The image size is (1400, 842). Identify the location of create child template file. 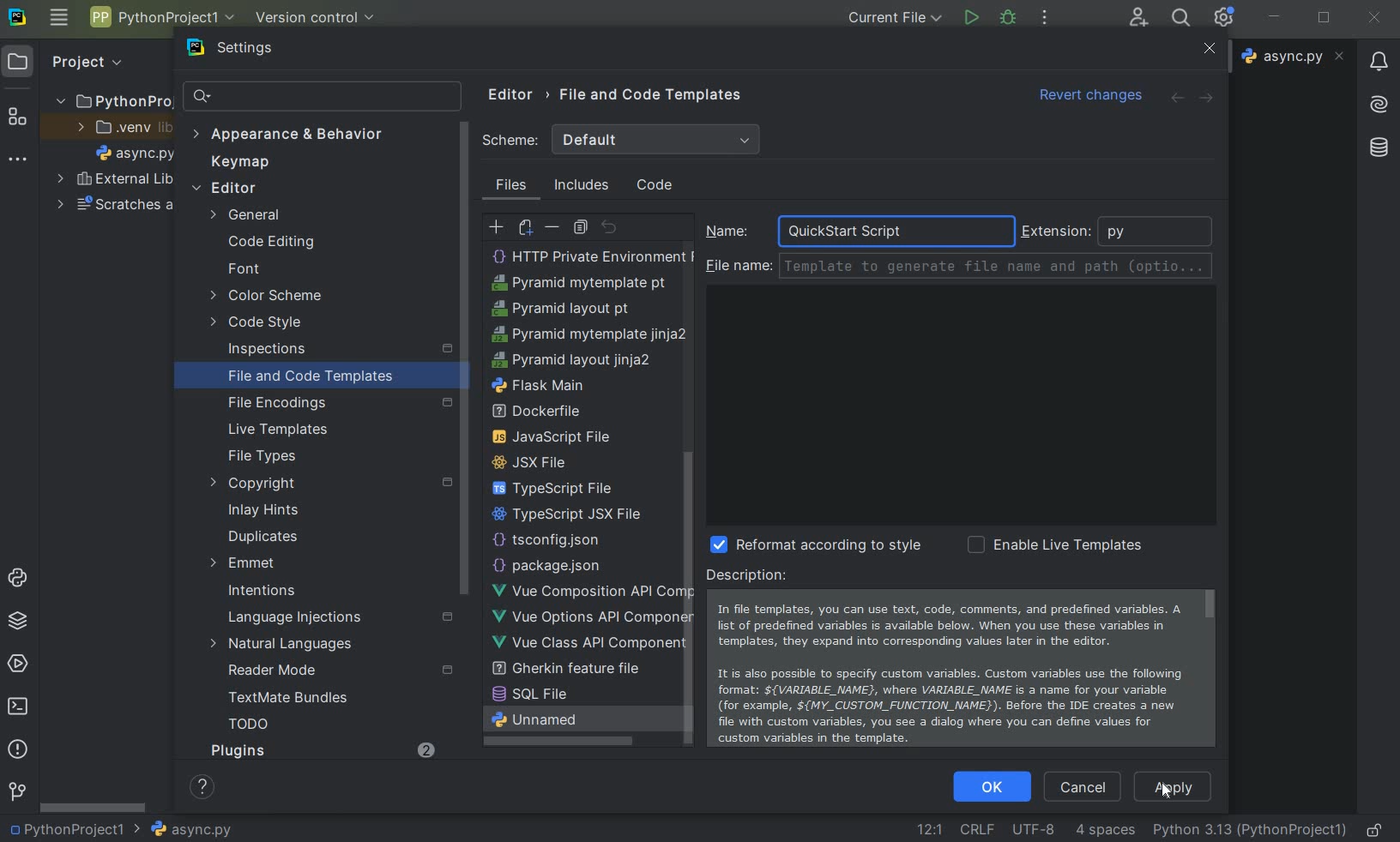
(526, 227).